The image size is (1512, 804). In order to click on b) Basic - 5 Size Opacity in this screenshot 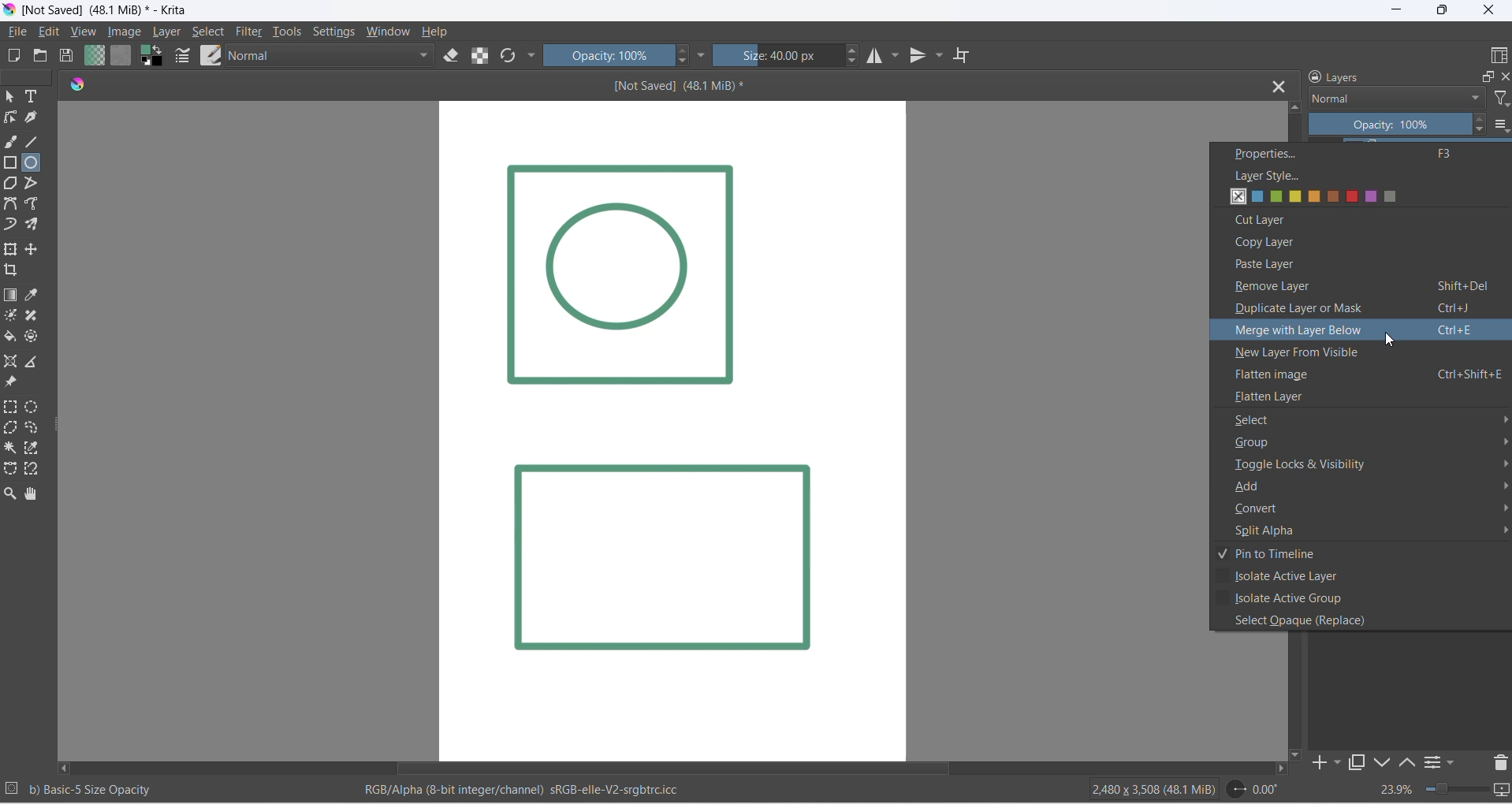, I will do `click(99, 791)`.